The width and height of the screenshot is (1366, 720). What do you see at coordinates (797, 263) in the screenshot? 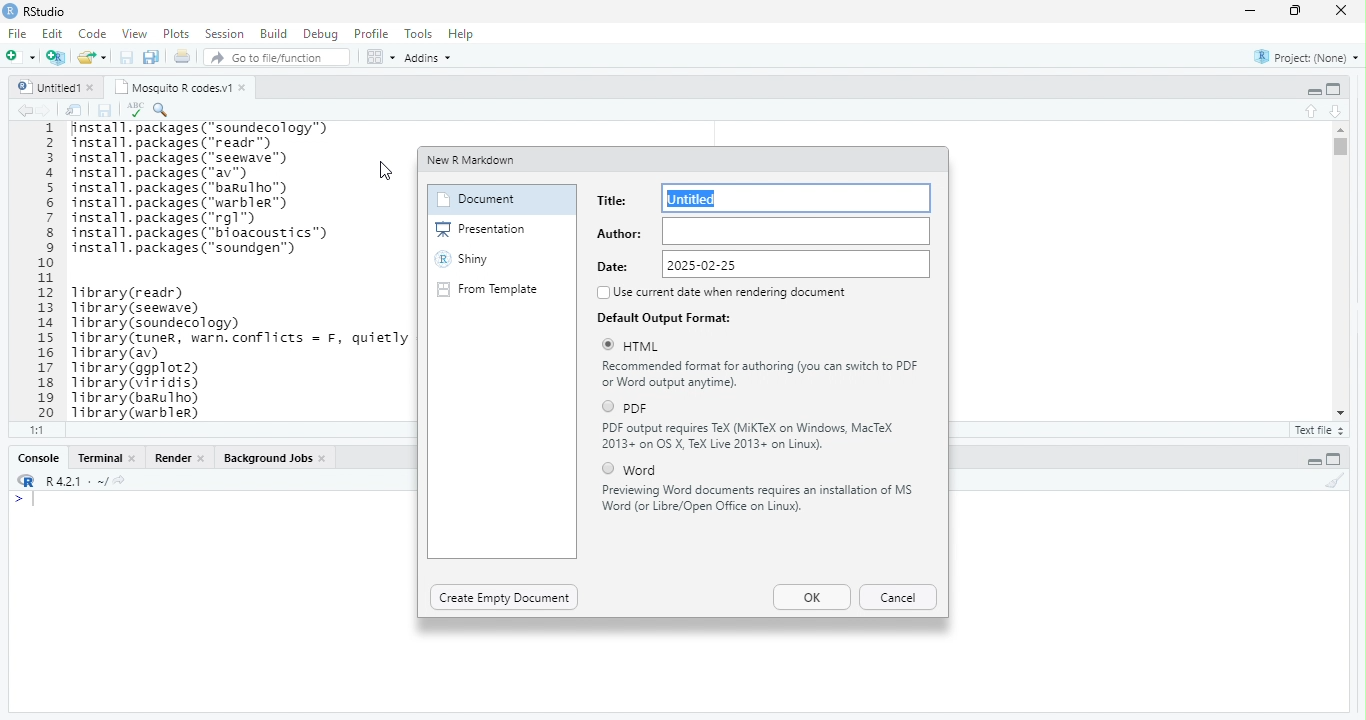
I see `2025-02-25` at bounding box center [797, 263].